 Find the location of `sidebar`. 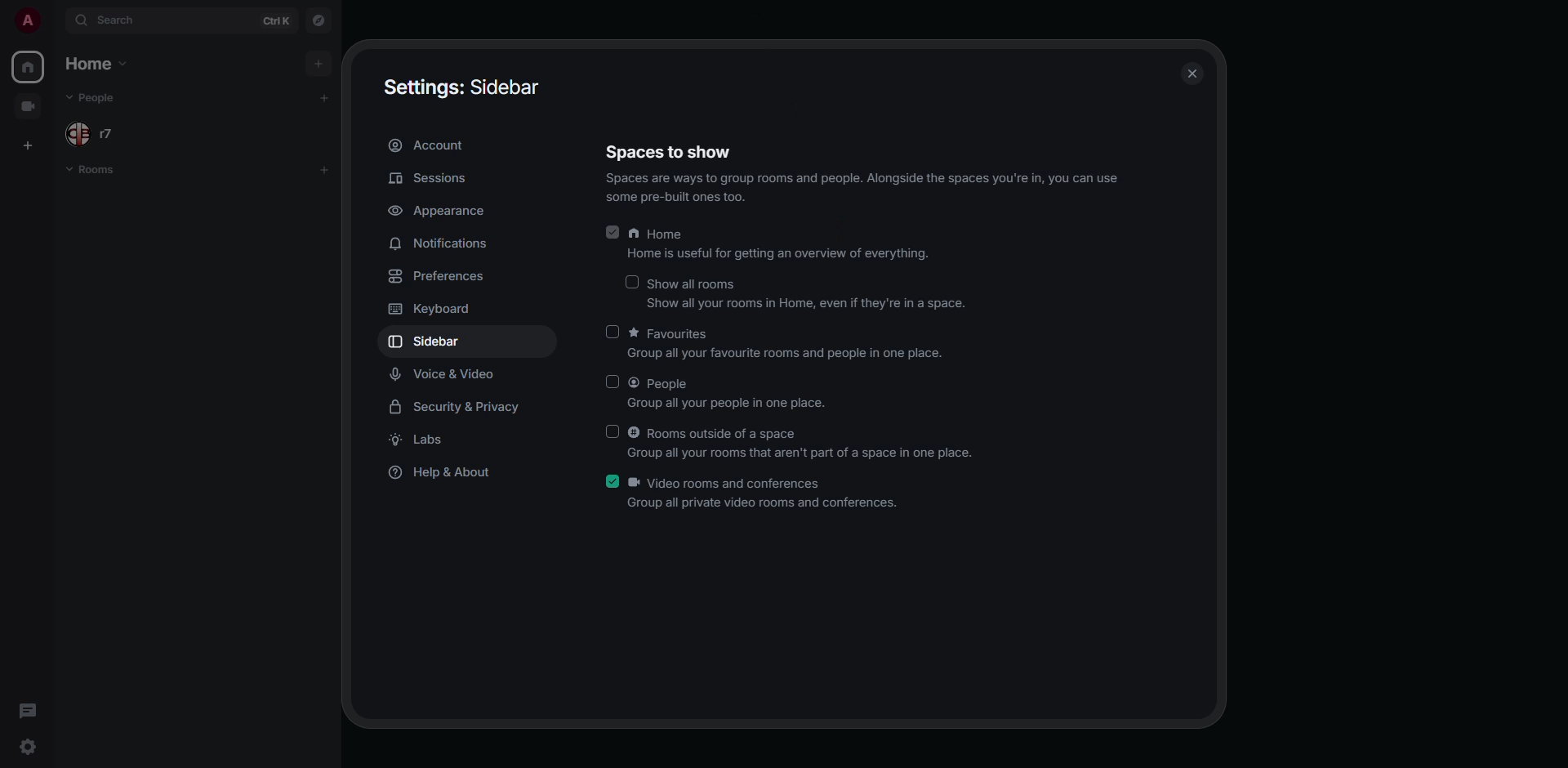

sidebar is located at coordinates (438, 342).